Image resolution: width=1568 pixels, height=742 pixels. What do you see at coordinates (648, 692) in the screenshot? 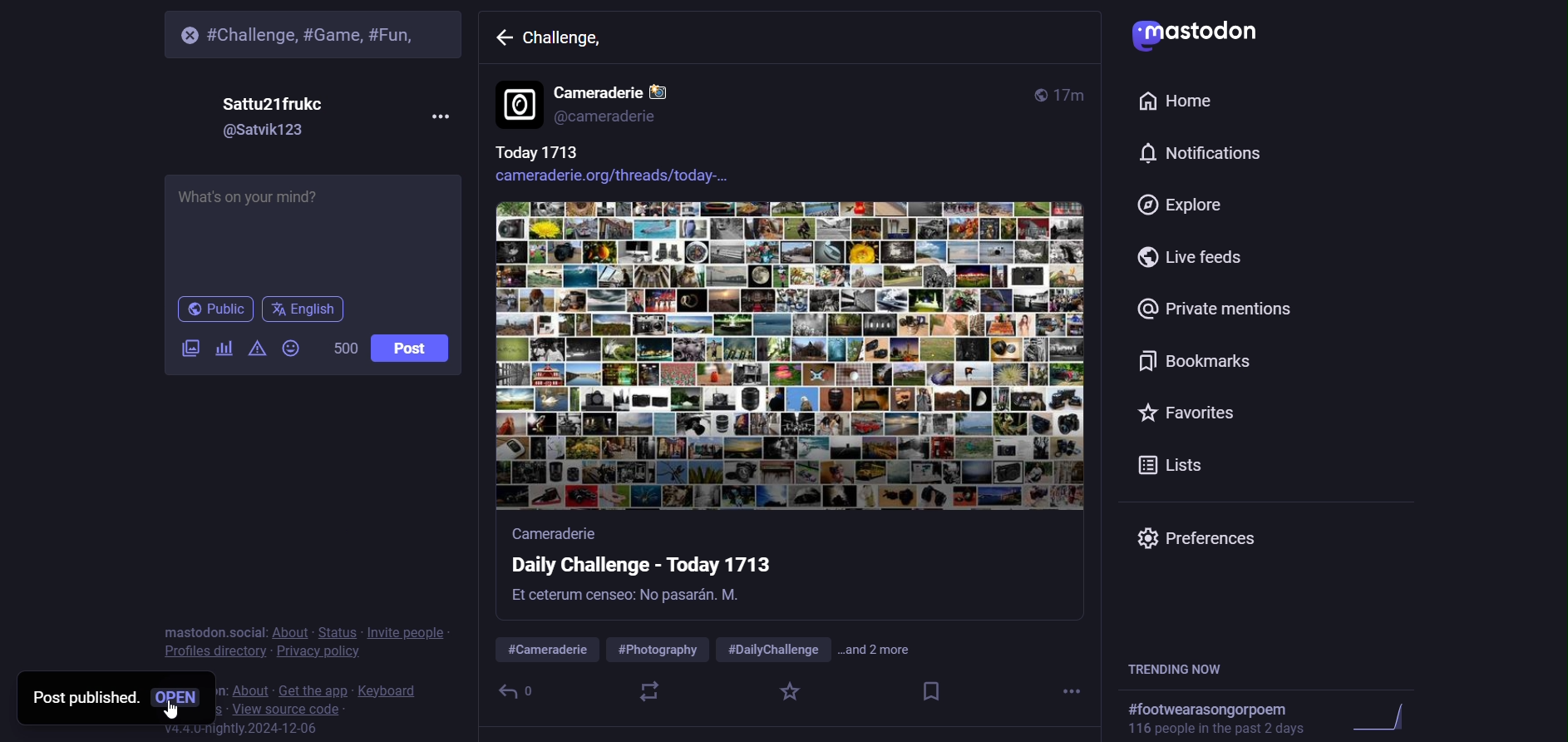
I see `boost` at bounding box center [648, 692].